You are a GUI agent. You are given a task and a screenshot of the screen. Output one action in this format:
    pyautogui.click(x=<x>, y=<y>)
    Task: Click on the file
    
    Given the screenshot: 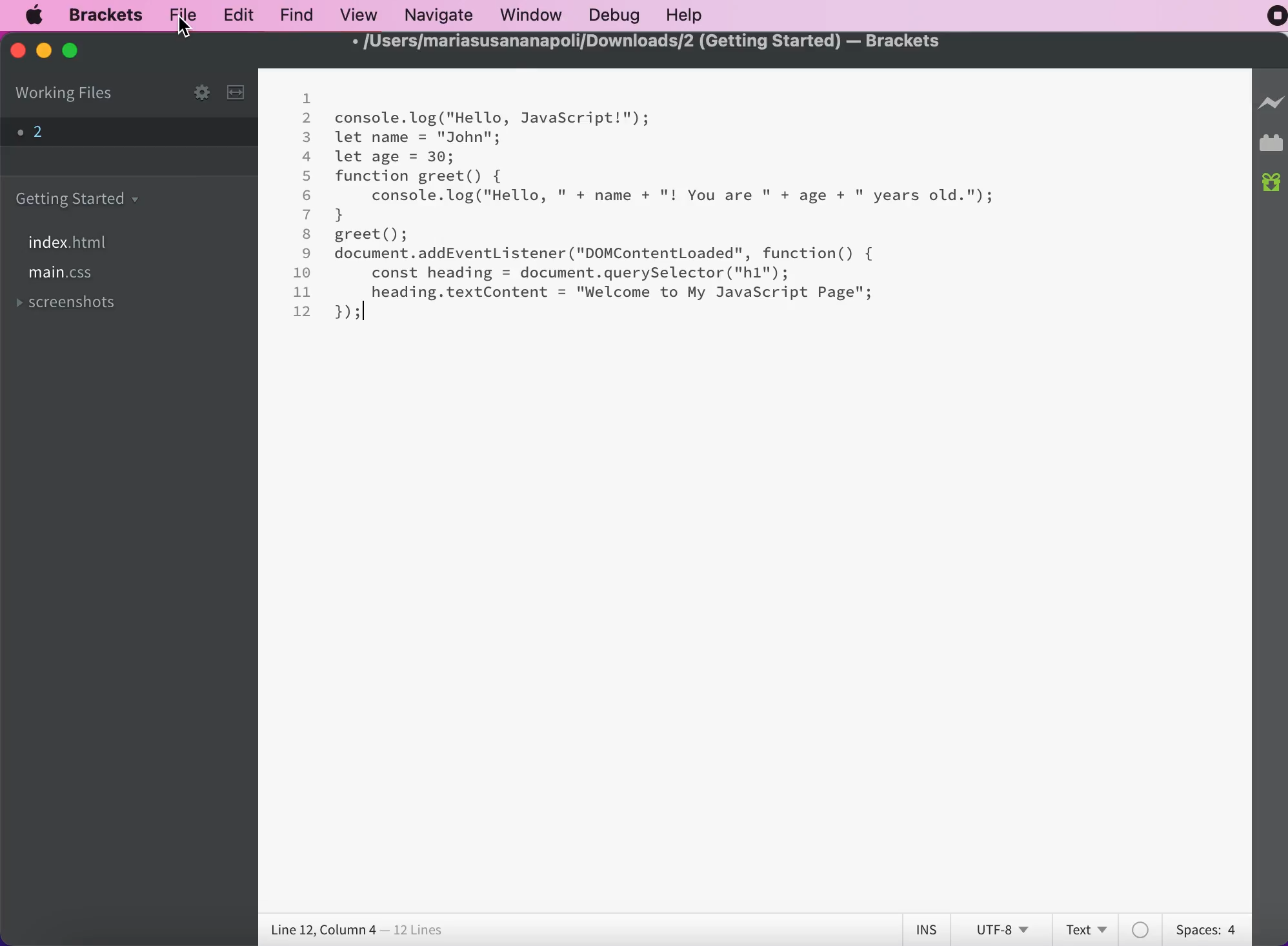 What is the action you would take?
    pyautogui.click(x=183, y=15)
    